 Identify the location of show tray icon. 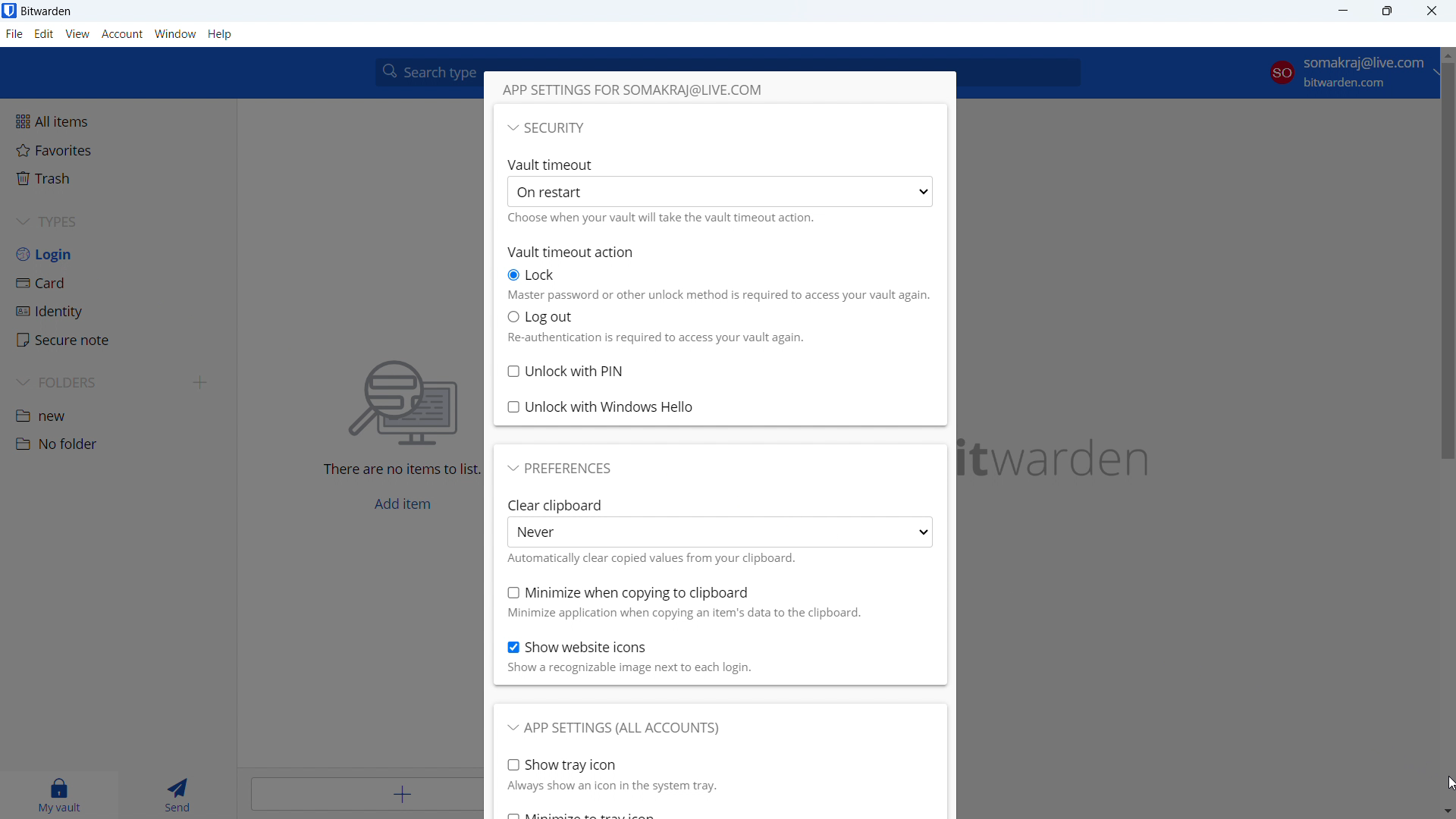
(719, 776).